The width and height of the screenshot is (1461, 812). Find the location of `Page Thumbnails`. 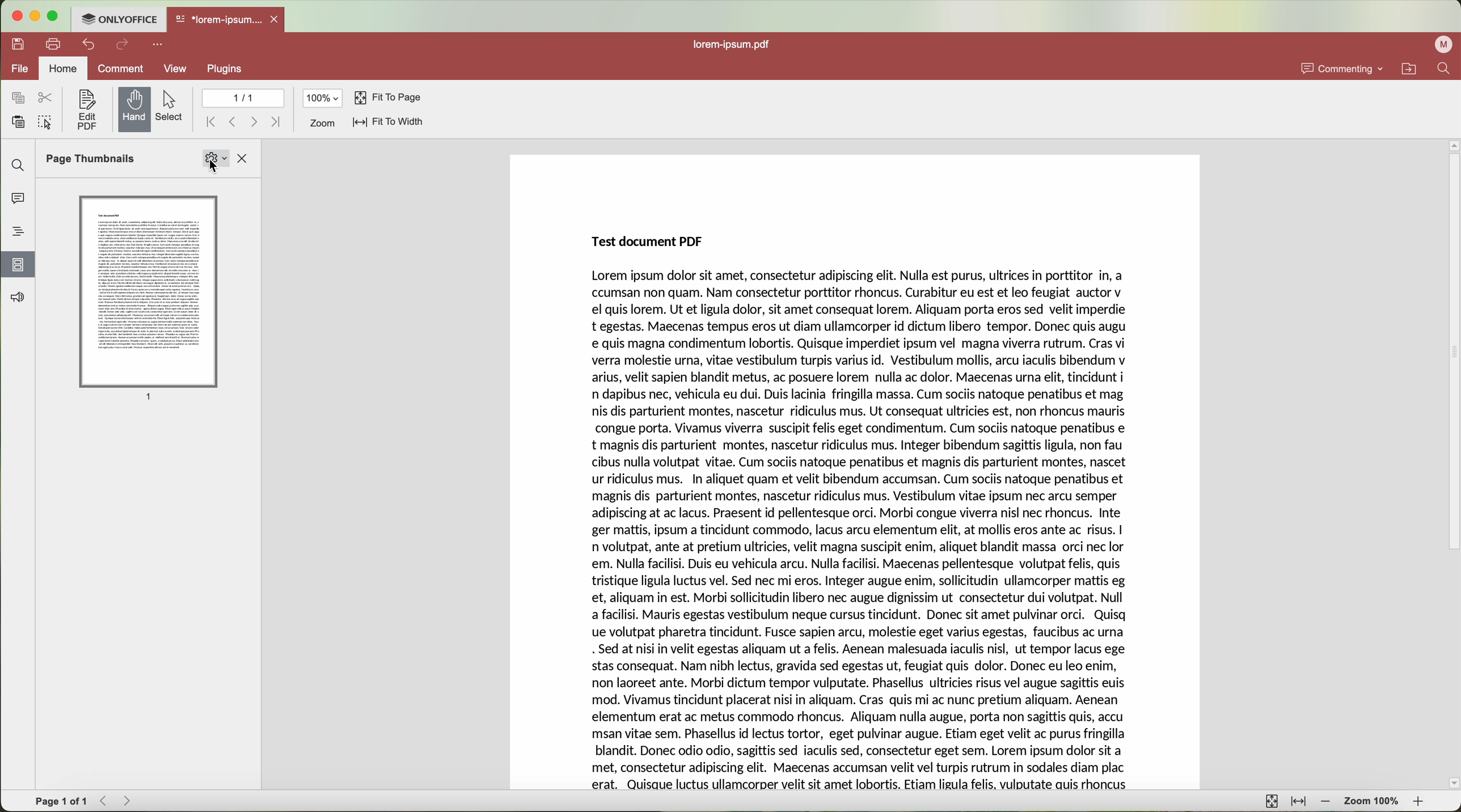

Page Thumbnails is located at coordinates (94, 159).